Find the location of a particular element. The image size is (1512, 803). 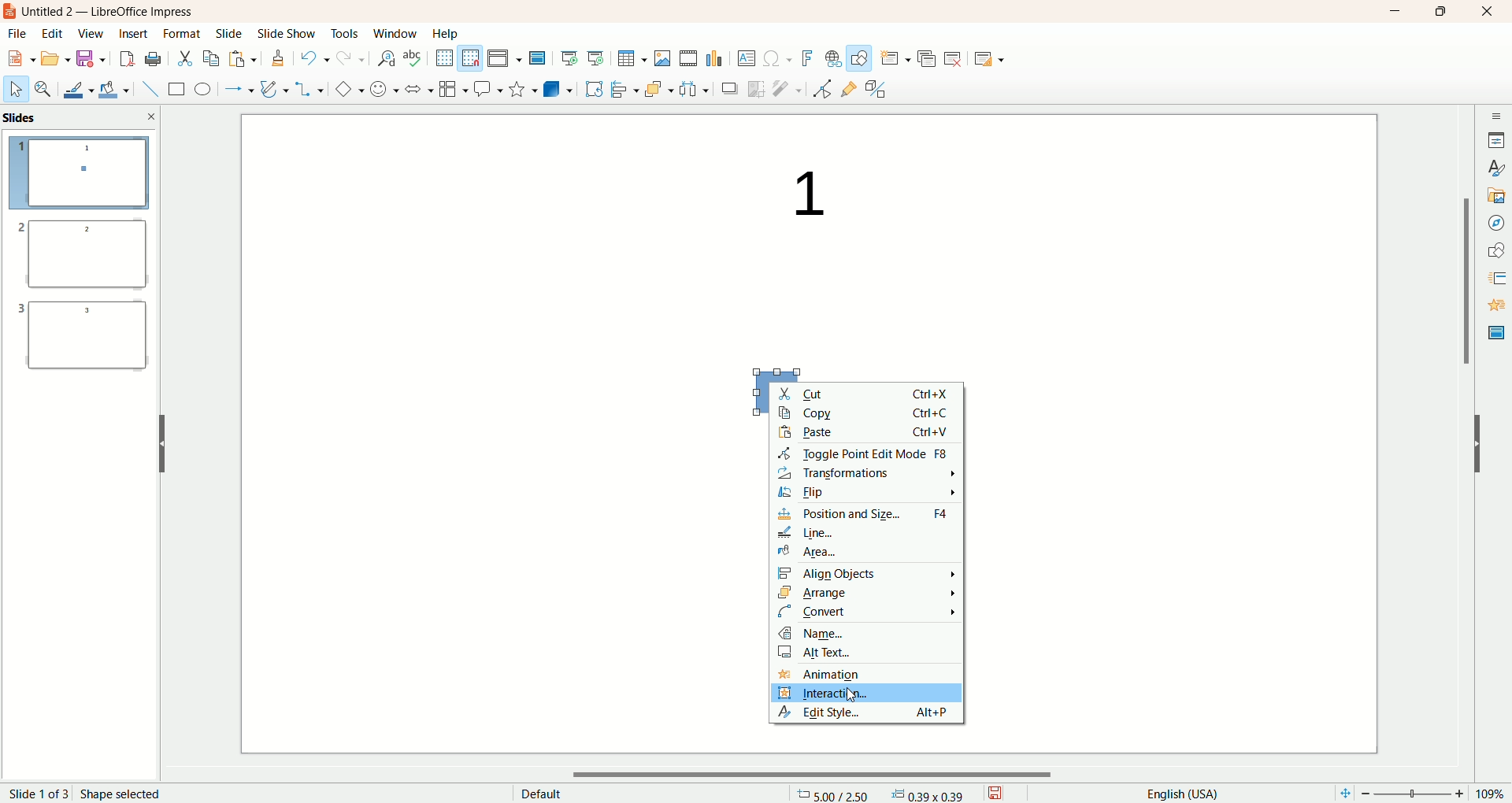

animation is located at coordinates (867, 672).